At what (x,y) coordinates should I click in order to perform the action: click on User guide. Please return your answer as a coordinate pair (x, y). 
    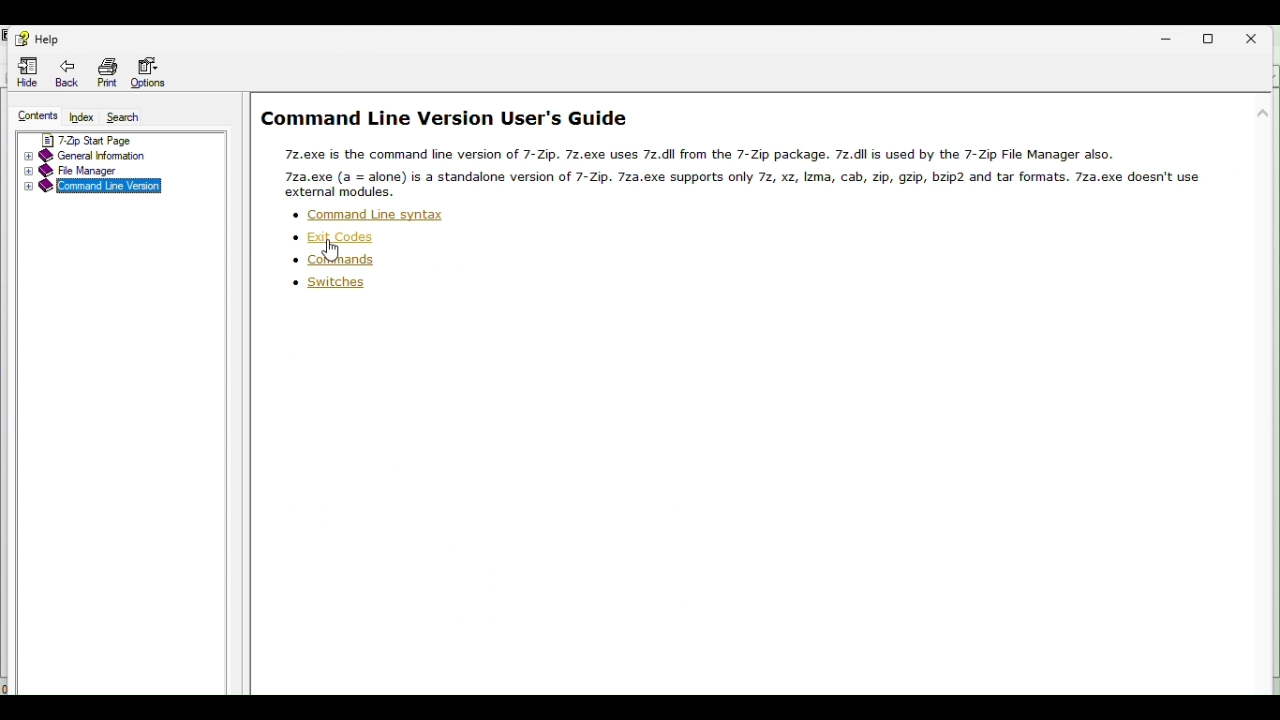
    Looking at the image, I should click on (747, 148).